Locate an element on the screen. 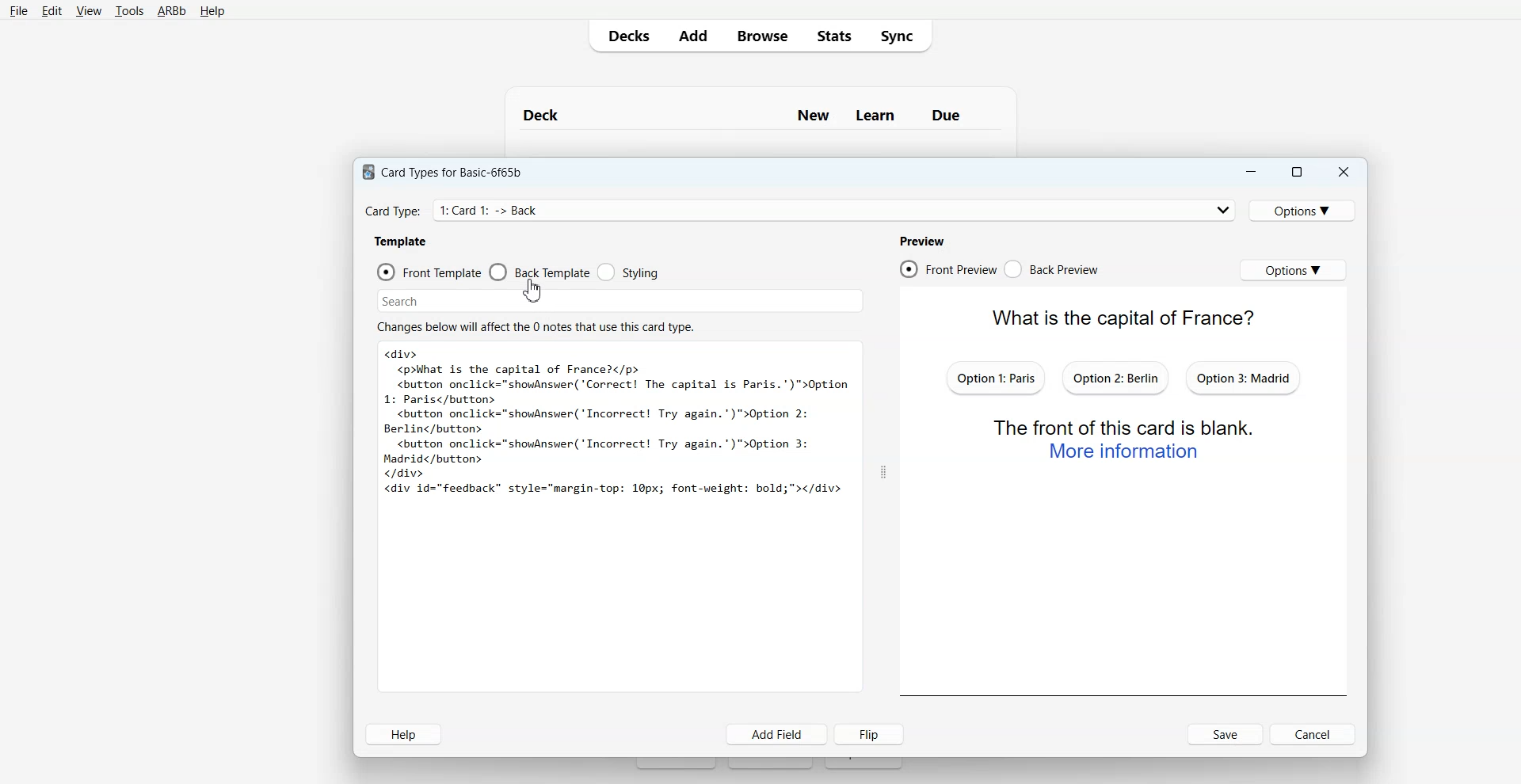 This screenshot has width=1521, height=784. View is located at coordinates (87, 10).